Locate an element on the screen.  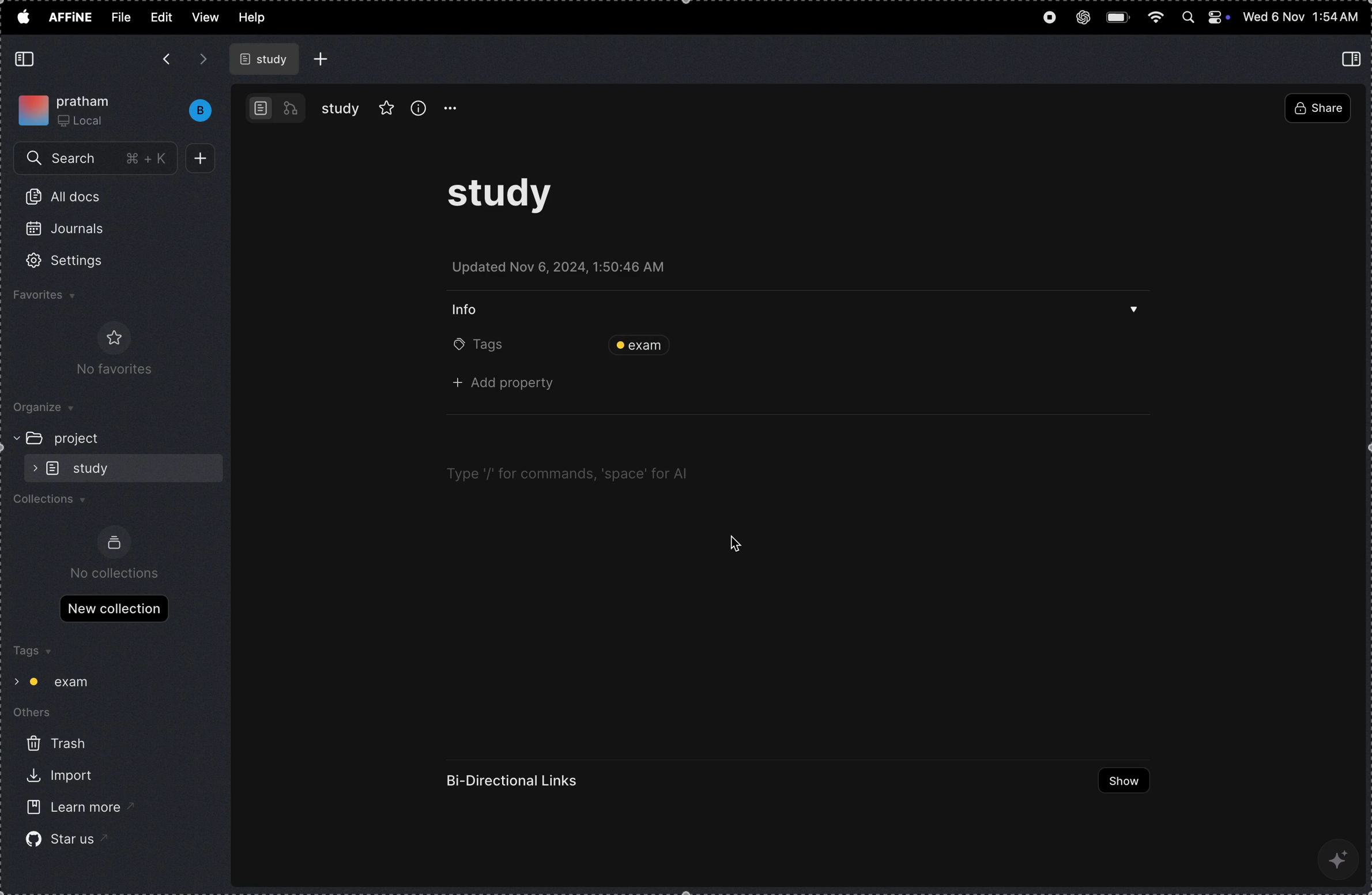
work bench is located at coordinates (276, 107).